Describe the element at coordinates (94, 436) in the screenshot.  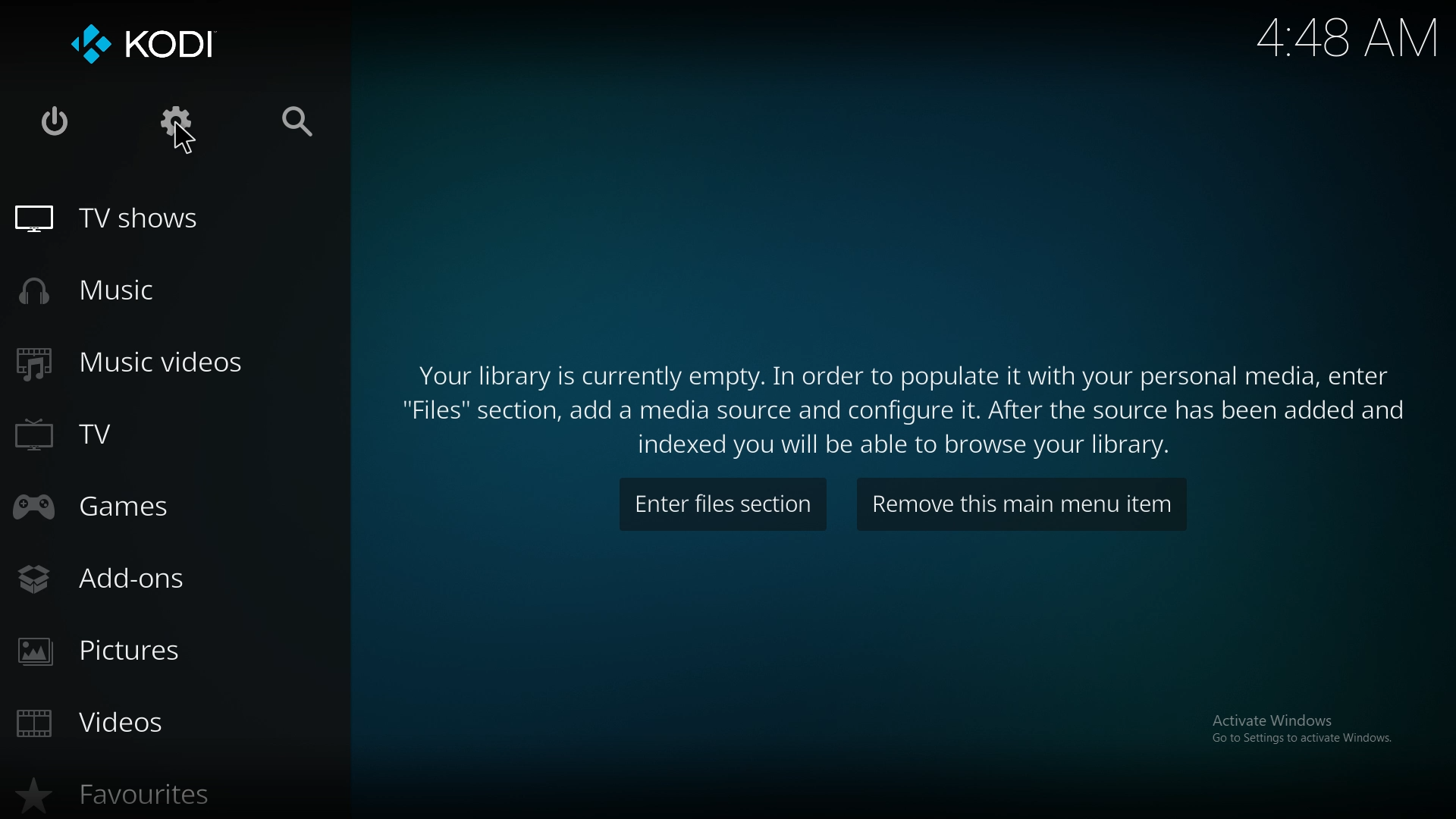
I see `tv` at that location.